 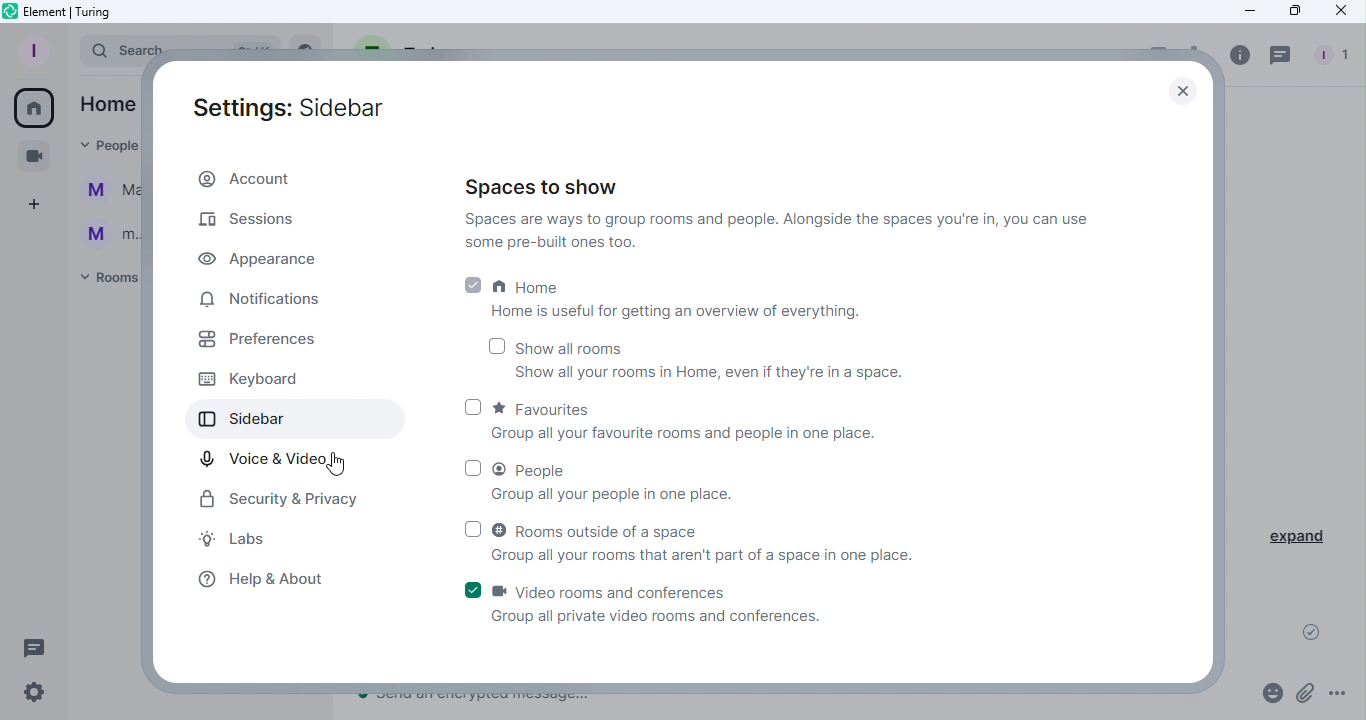 I want to click on Rooms, so click(x=110, y=282).